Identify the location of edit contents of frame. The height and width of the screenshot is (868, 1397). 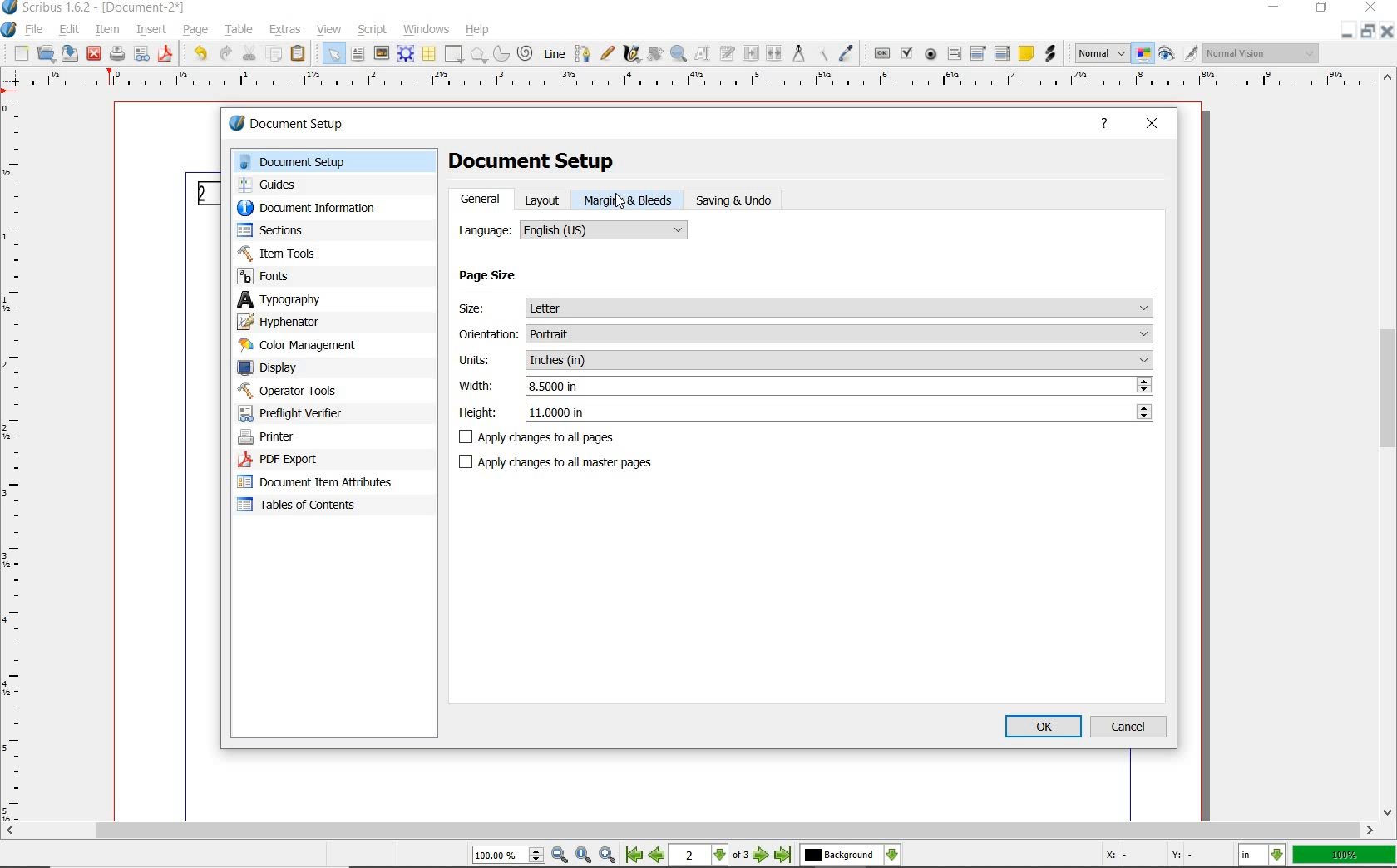
(704, 54).